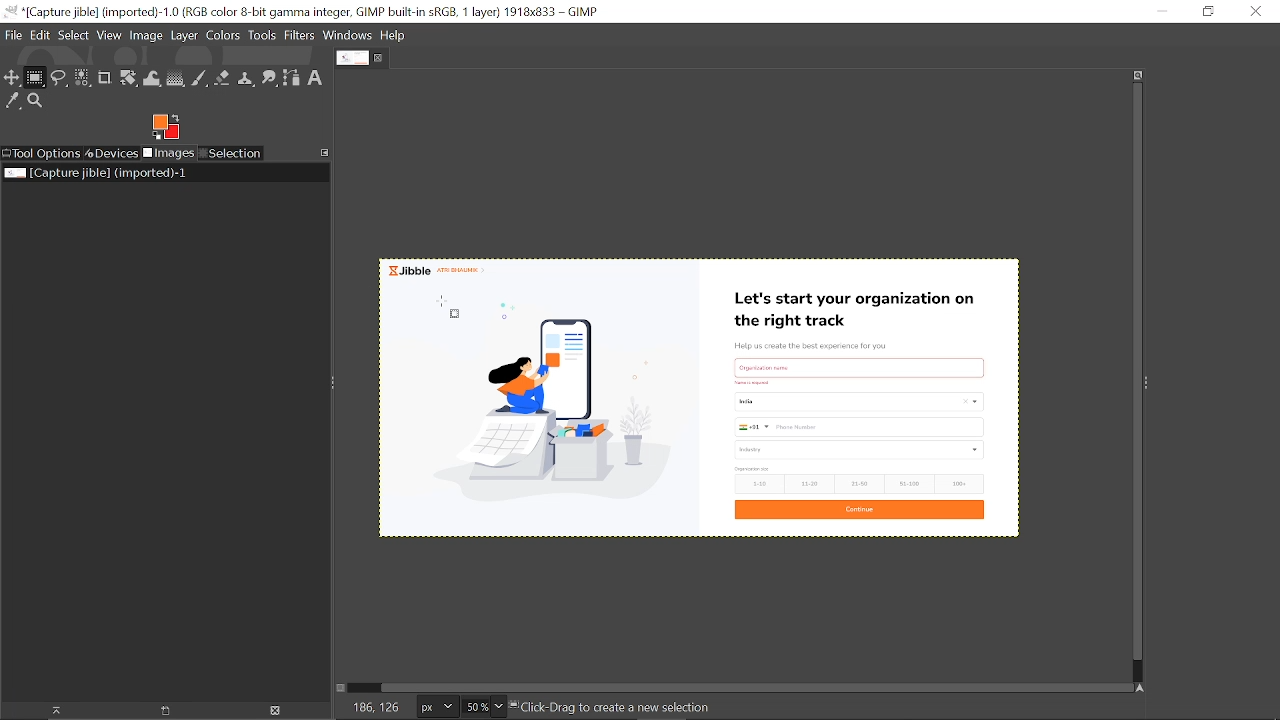 The width and height of the screenshot is (1280, 720). I want to click on Current window, so click(309, 12).